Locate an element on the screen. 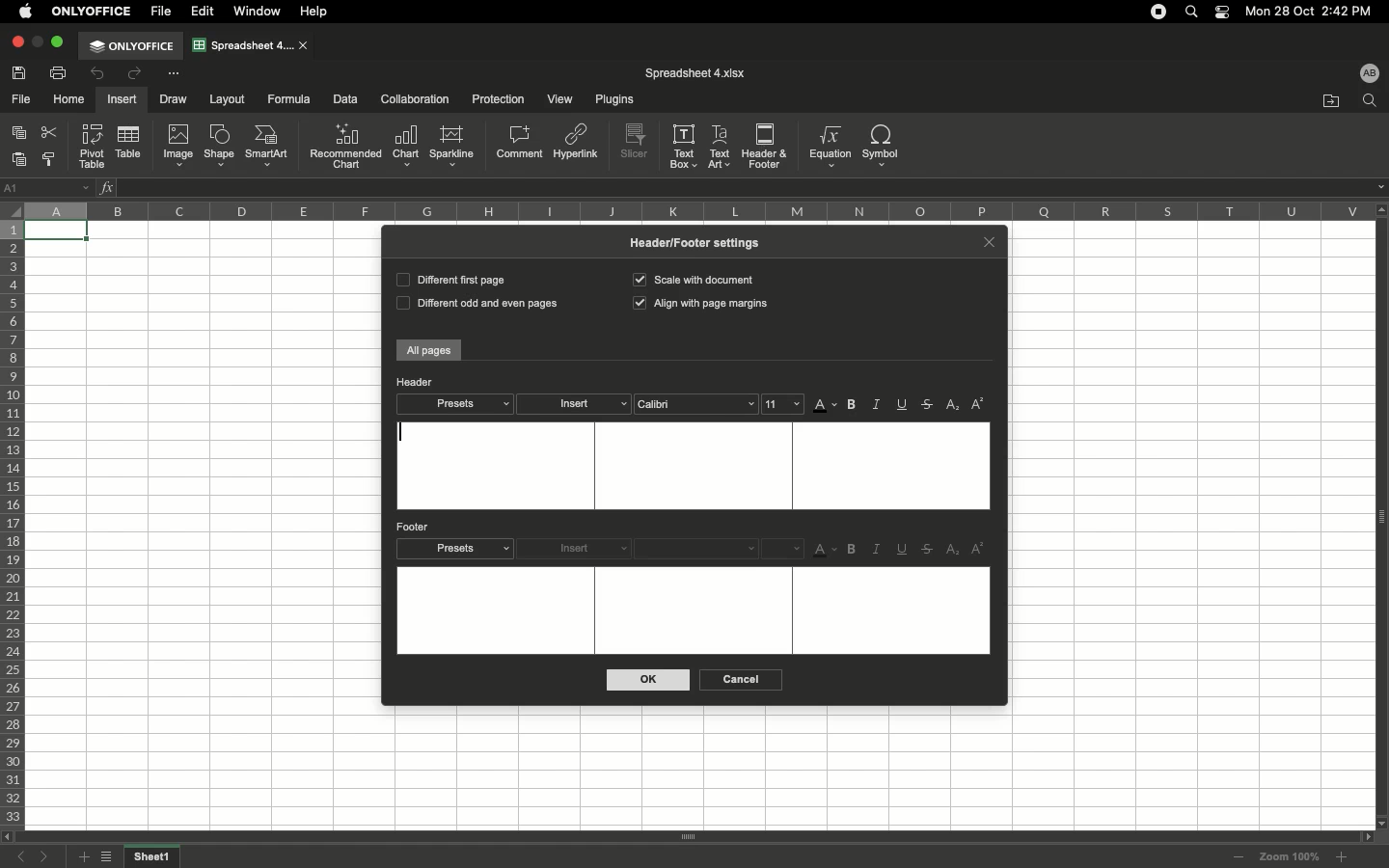 Image resolution: width=1389 pixels, height=868 pixels. Cell input is located at coordinates (743, 188).